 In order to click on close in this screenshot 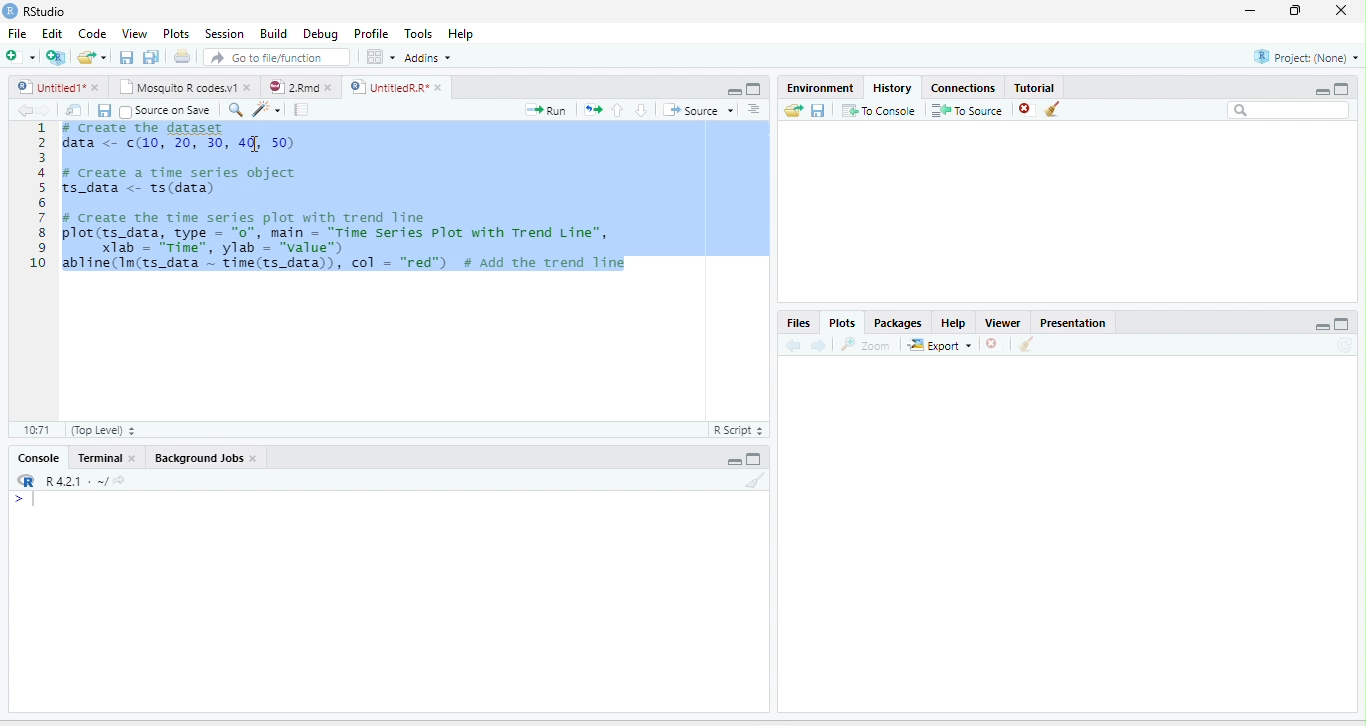, I will do `click(131, 458)`.